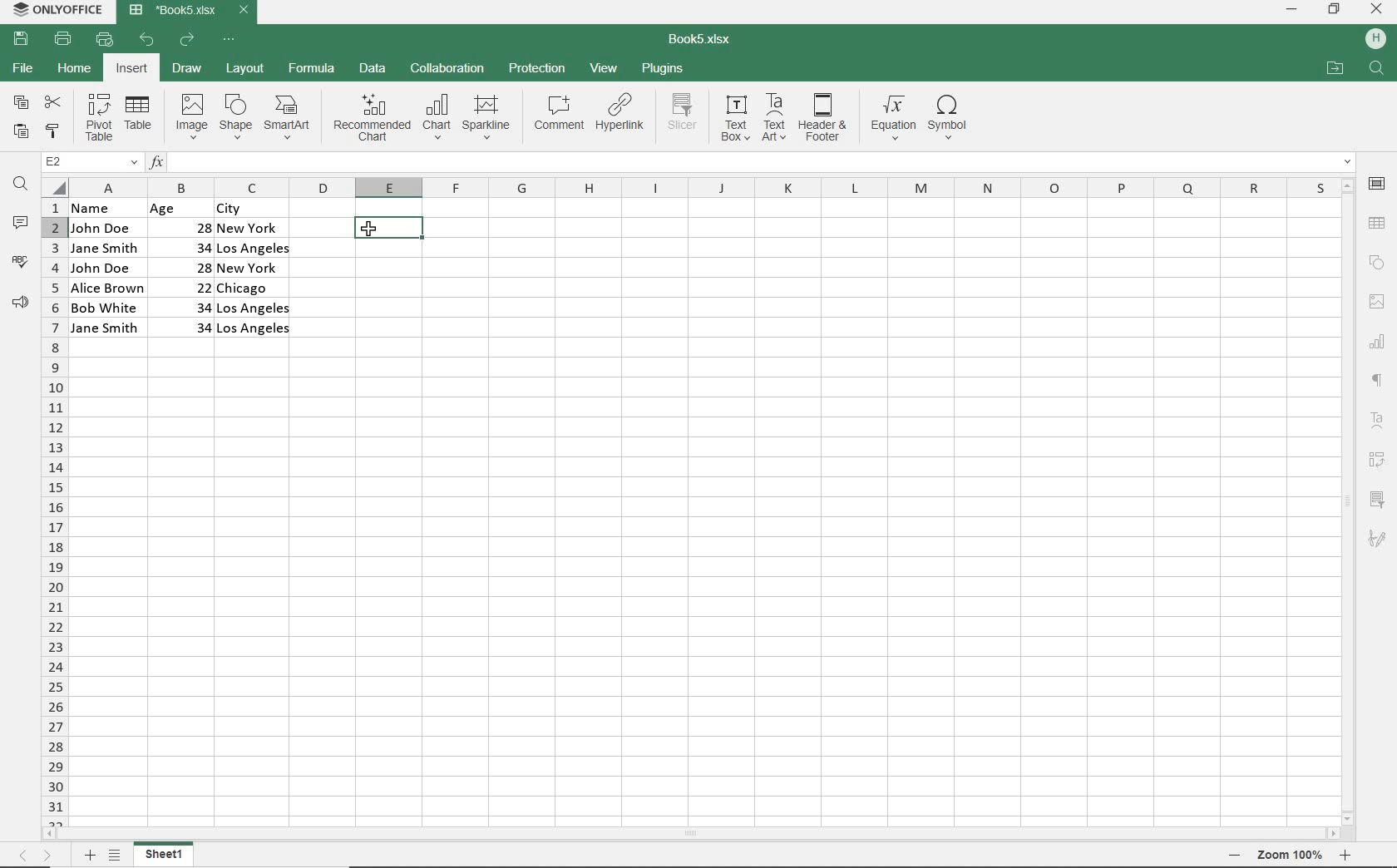 Image resolution: width=1397 pixels, height=868 pixels. I want to click on SCROLLBAR, so click(1345, 501).